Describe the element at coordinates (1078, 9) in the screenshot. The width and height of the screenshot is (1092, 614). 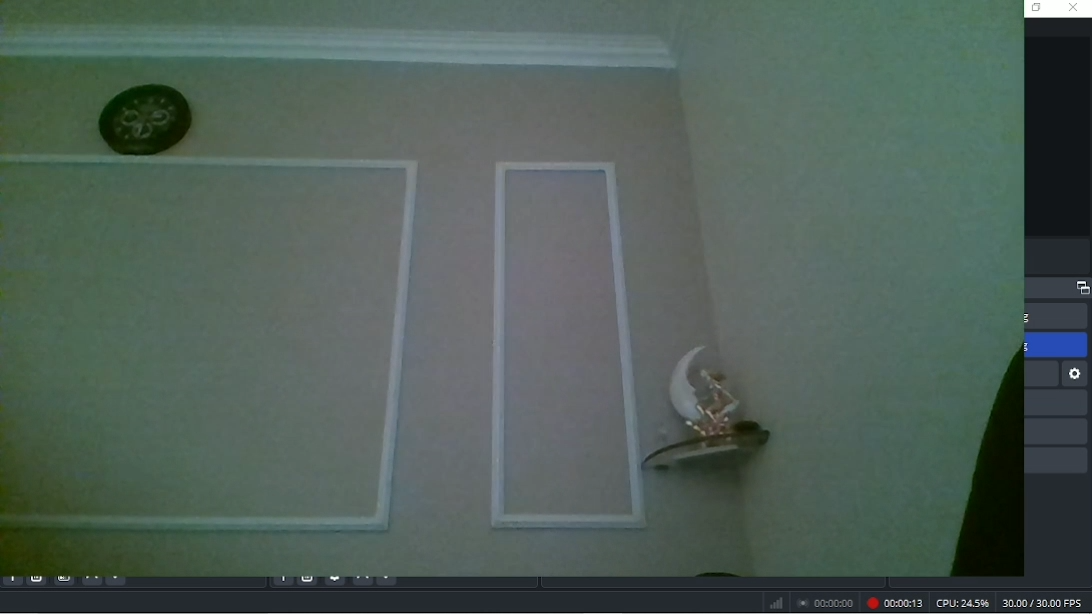
I see `close` at that location.